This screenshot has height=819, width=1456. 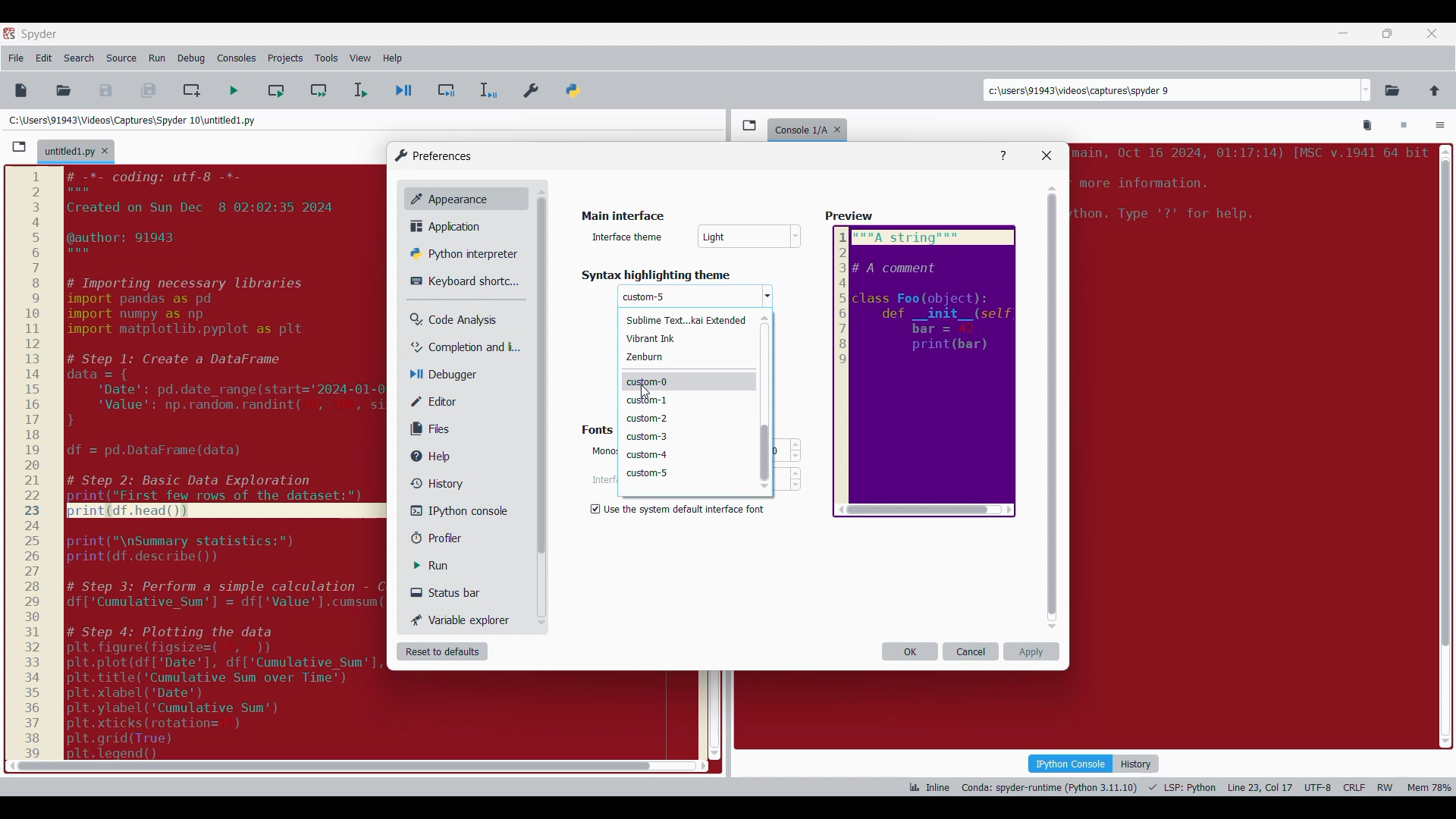 I want to click on Variable explorer, so click(x=462, y=620).